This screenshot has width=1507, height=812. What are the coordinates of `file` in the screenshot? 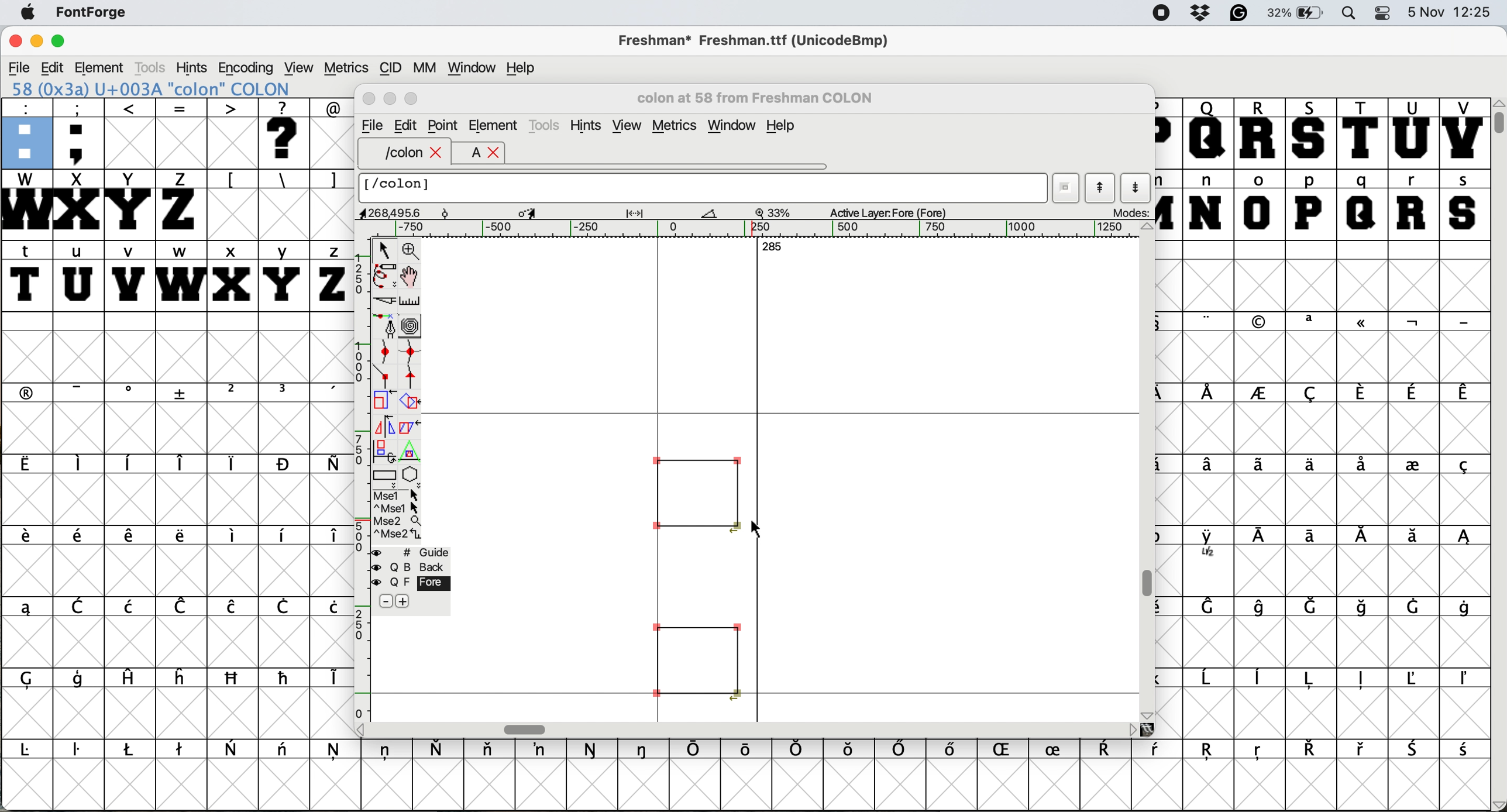 It's located at (371, 124).